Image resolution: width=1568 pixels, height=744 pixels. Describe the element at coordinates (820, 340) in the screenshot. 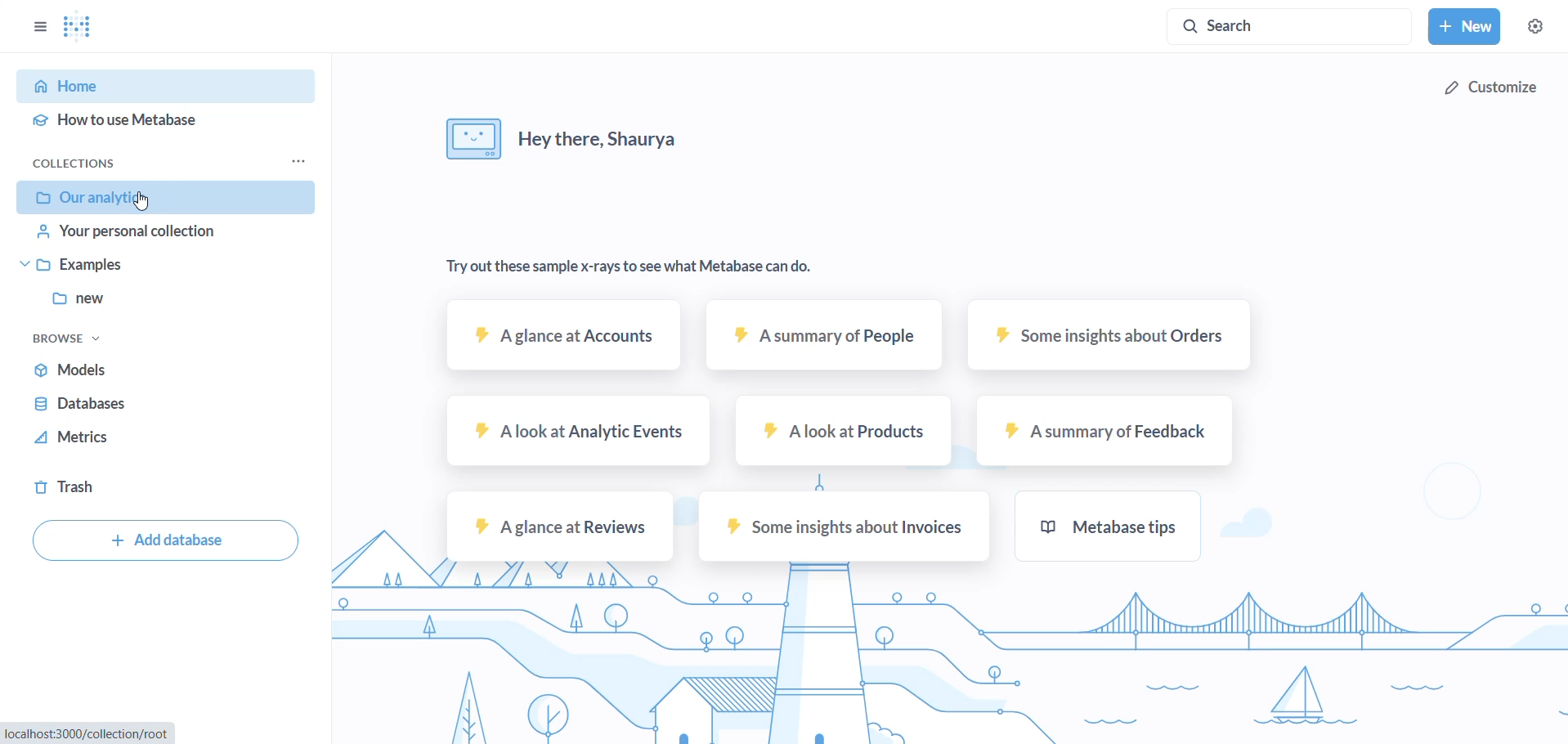

I see `A summary of people` at that location.